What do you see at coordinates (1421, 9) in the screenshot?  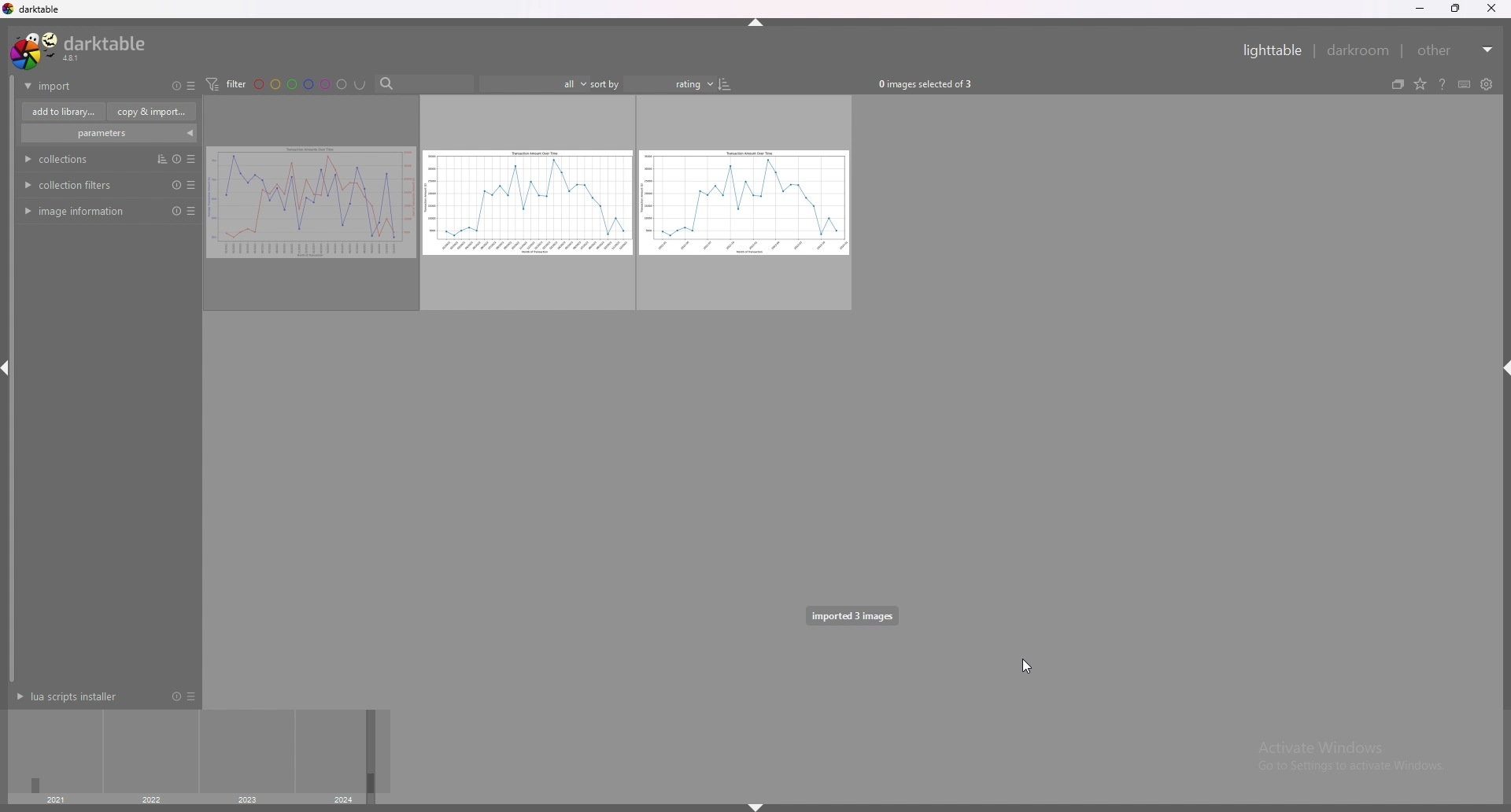 I see `minimize` at bounding box center [1421, 9].